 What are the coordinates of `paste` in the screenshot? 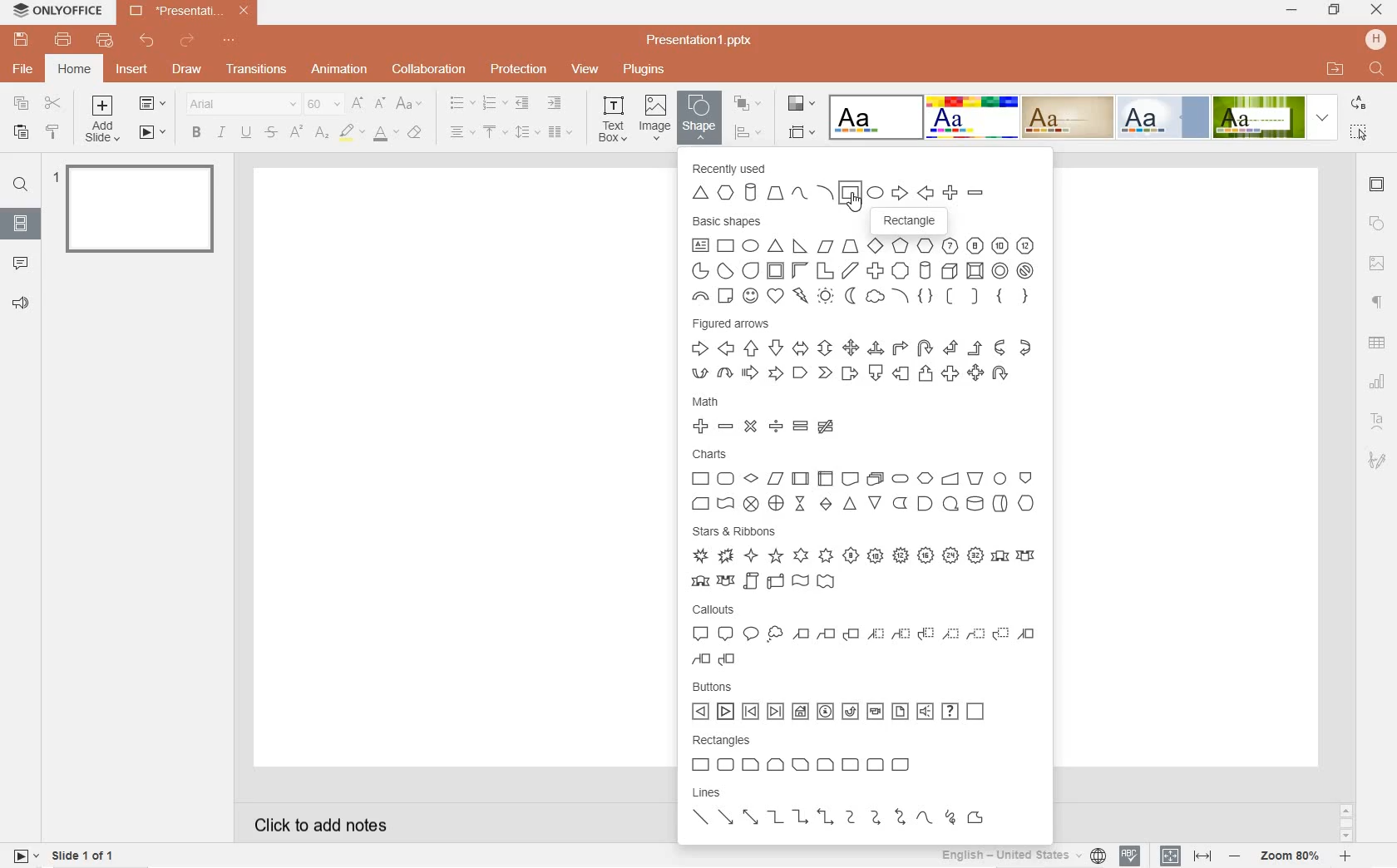 It's located at (18, 133).